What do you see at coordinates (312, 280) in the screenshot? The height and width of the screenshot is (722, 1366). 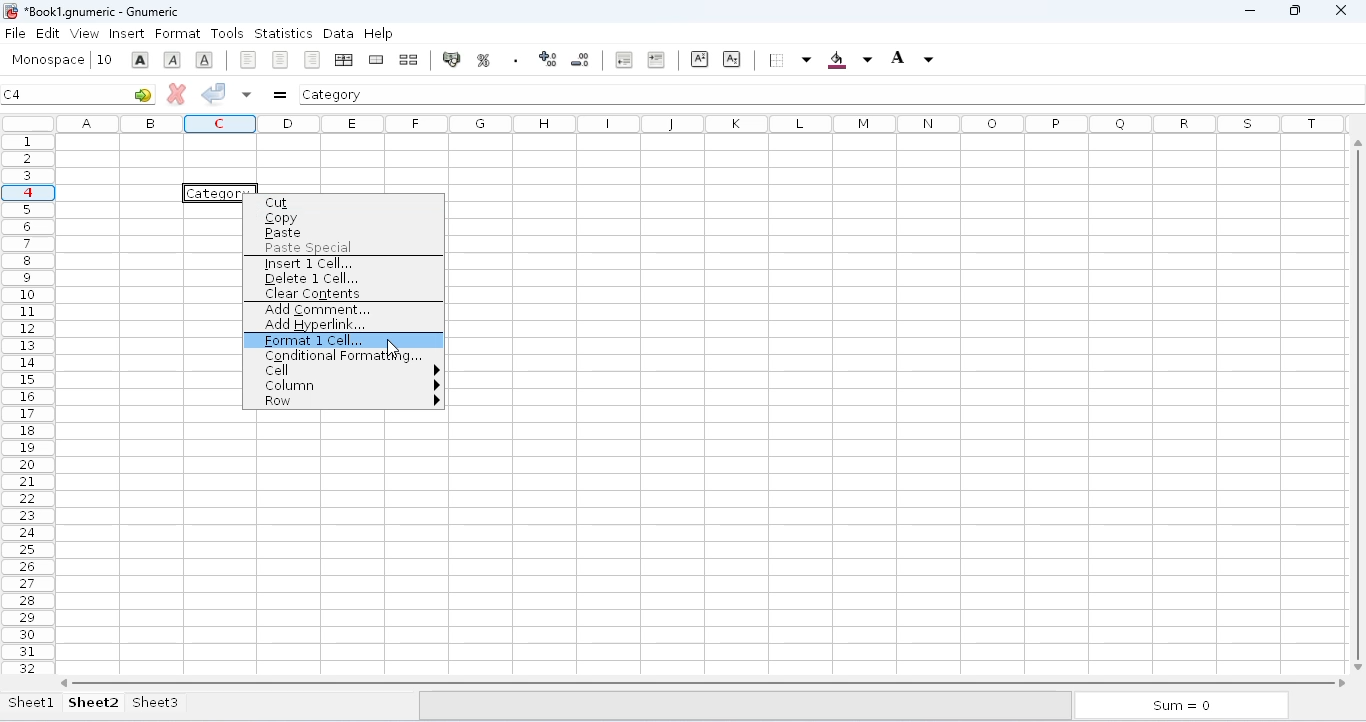 I see `delete 1 cell` at bounding box center [312, 280].